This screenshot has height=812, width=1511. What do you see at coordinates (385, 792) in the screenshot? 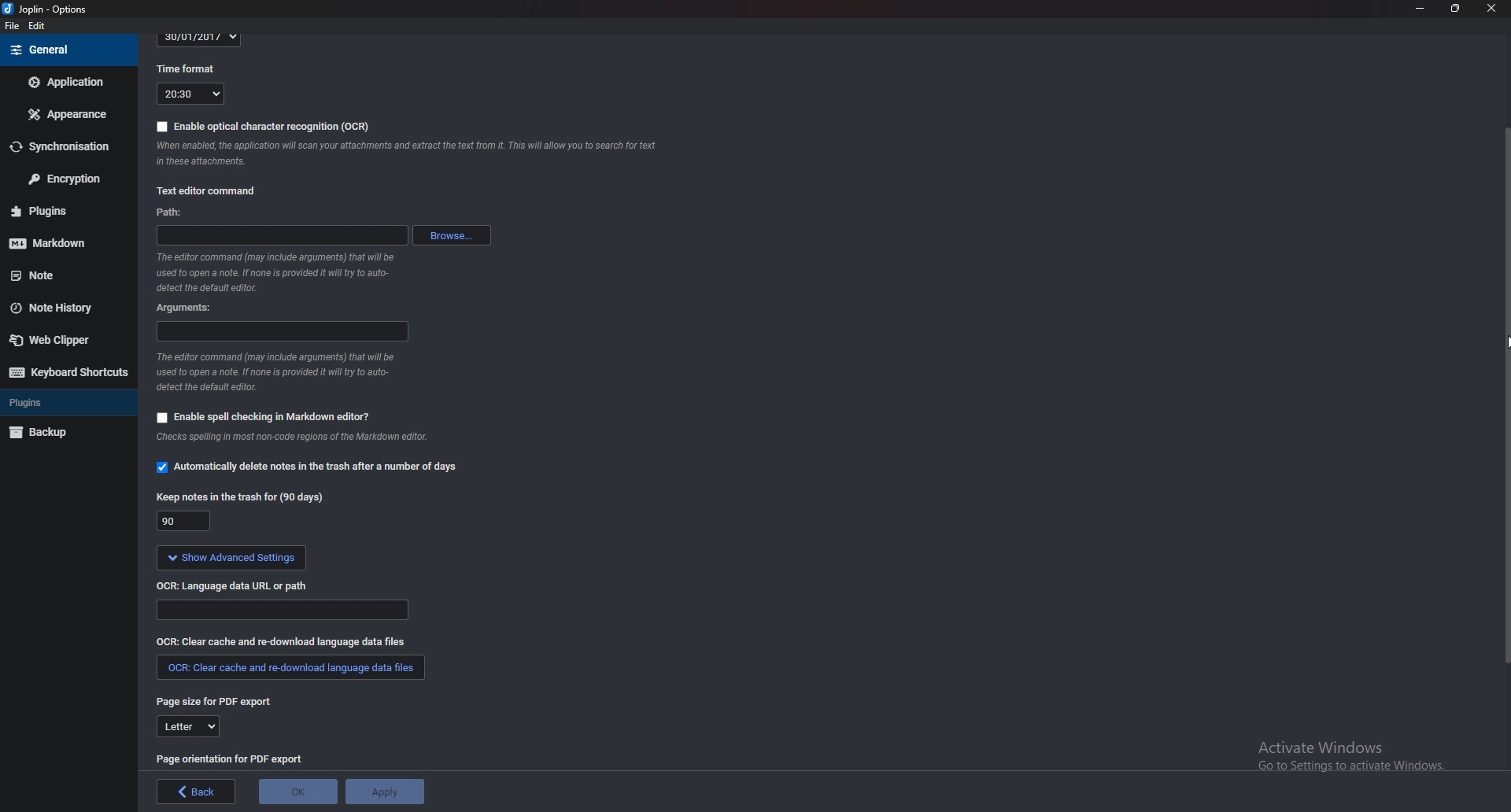
I see `Apply` at bounding box center [385, 792].